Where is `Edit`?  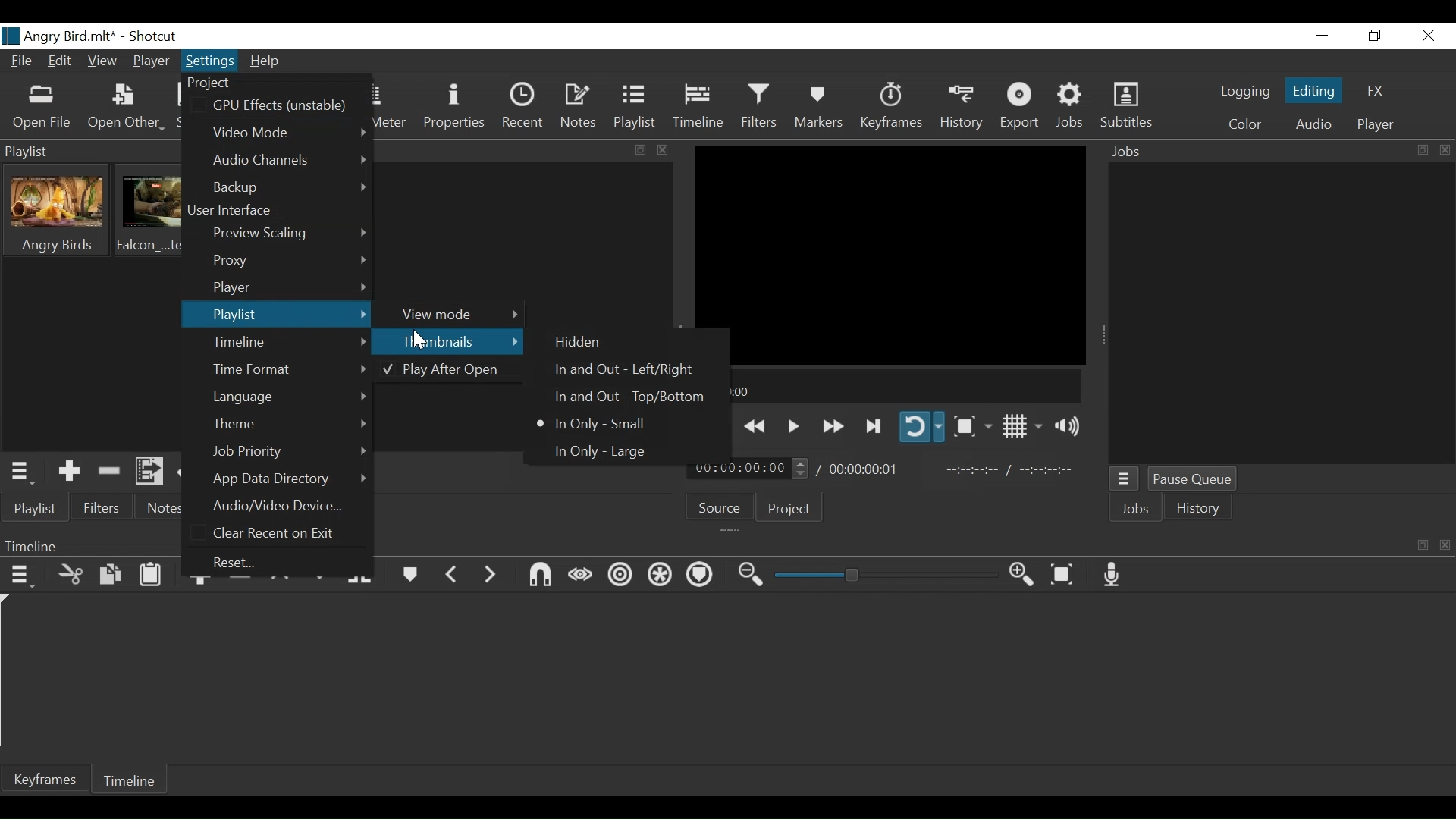
Edit is located at coordinates (60, 61).